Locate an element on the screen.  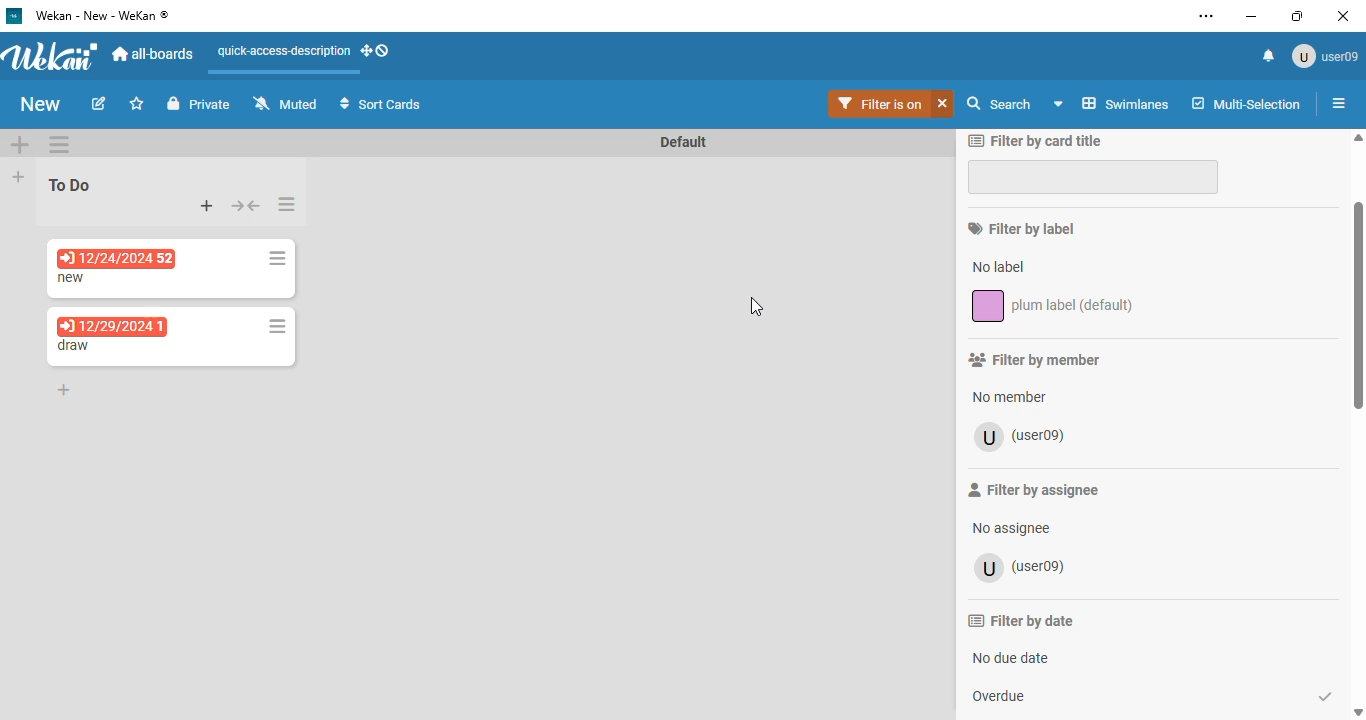
logo is located at coordinates (15, 16).